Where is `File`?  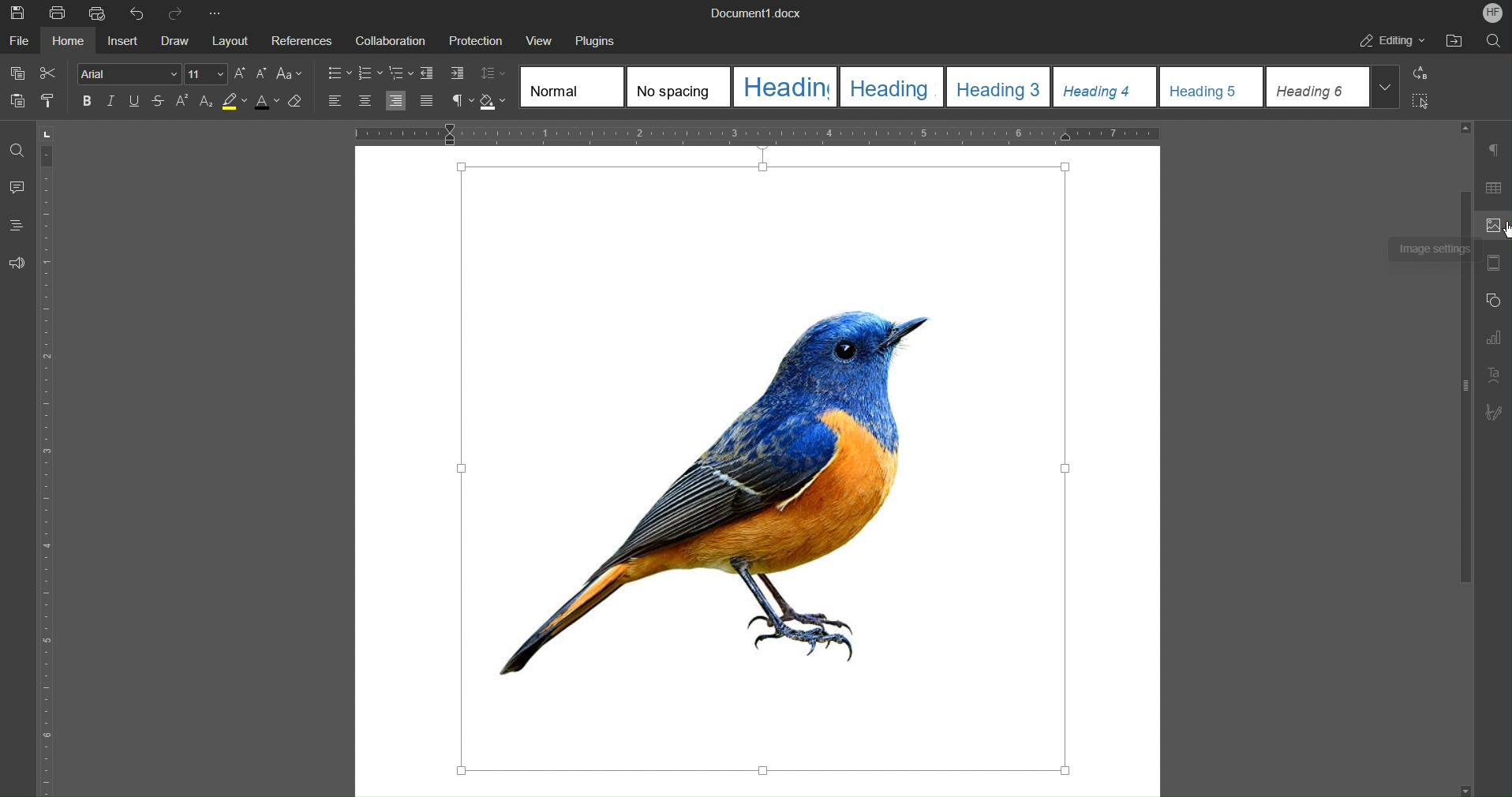
File is located at coordinates (19, 39).